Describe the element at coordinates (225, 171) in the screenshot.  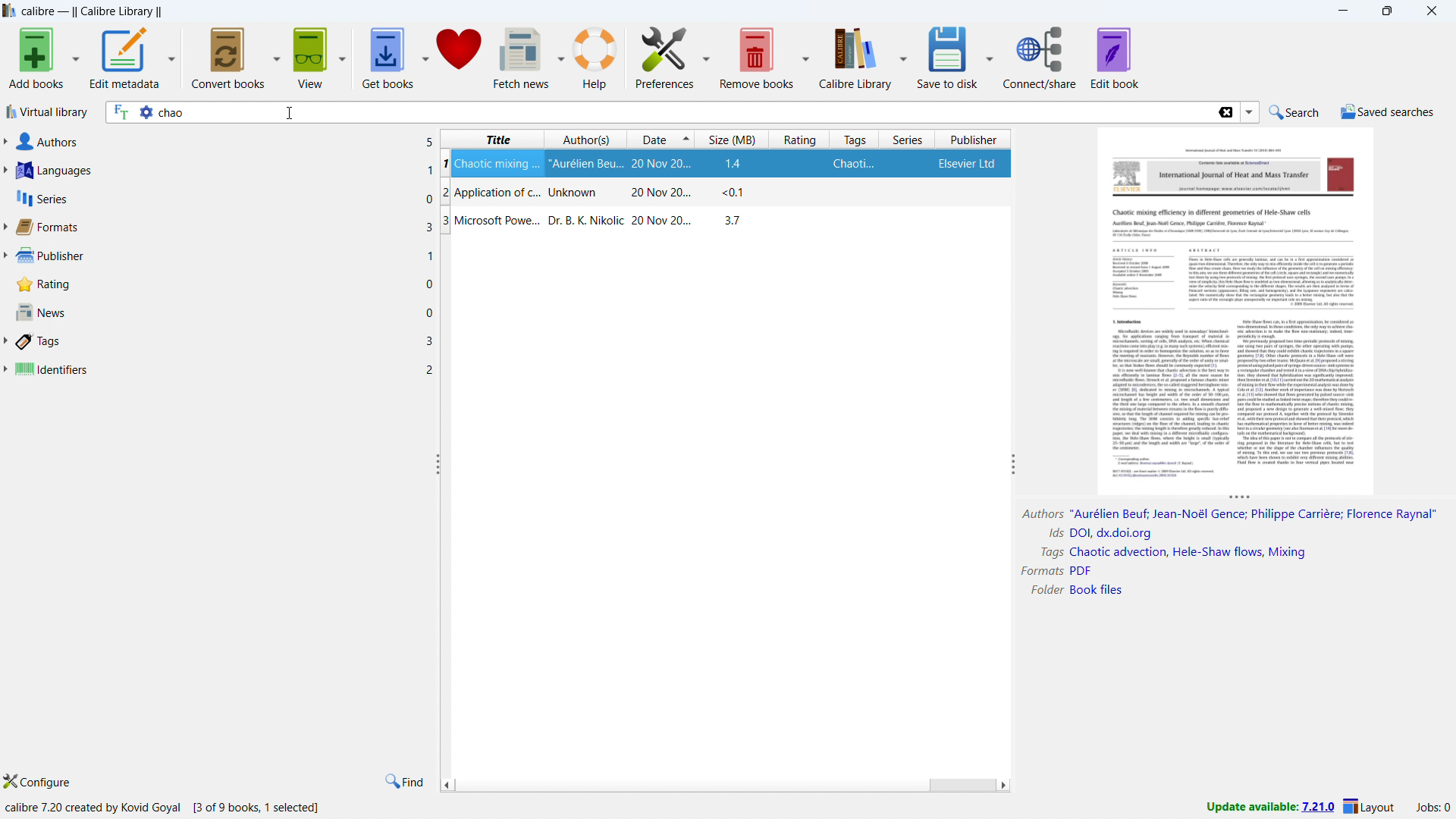
I see `languages` at that location.